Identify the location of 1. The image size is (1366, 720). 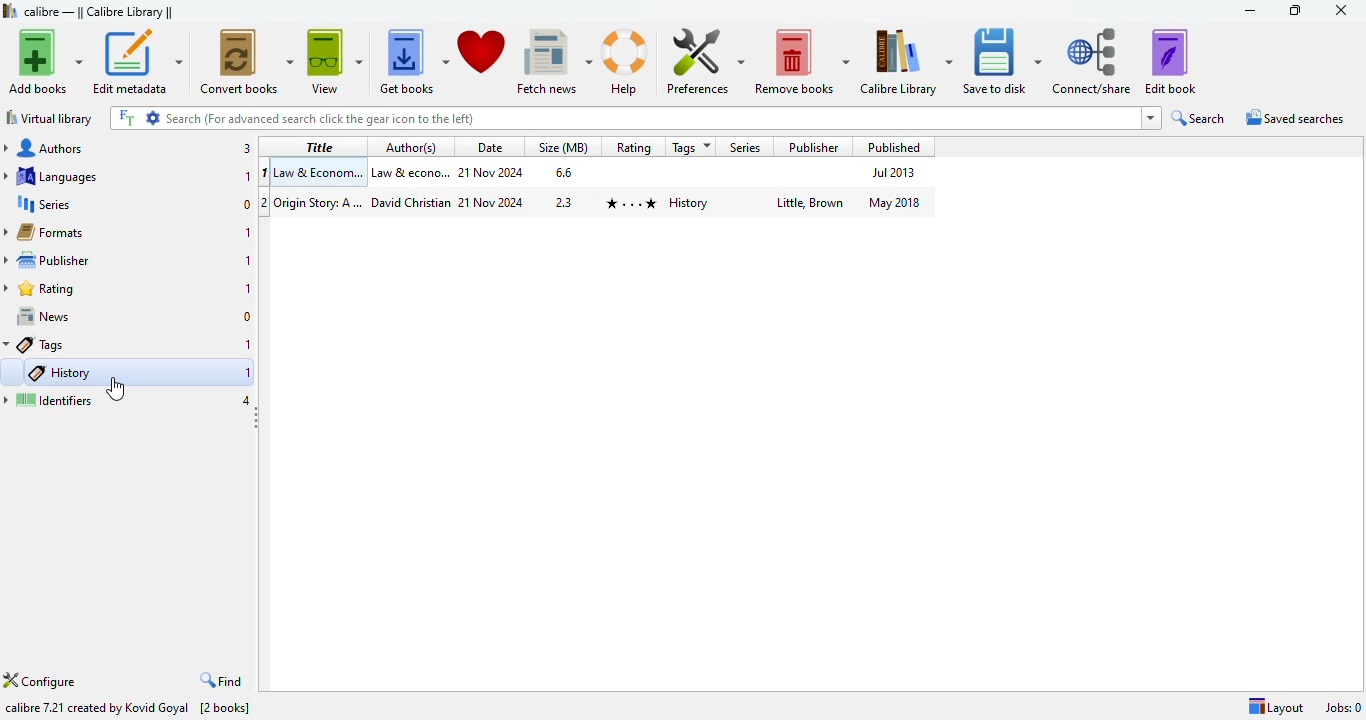
(248, 289).